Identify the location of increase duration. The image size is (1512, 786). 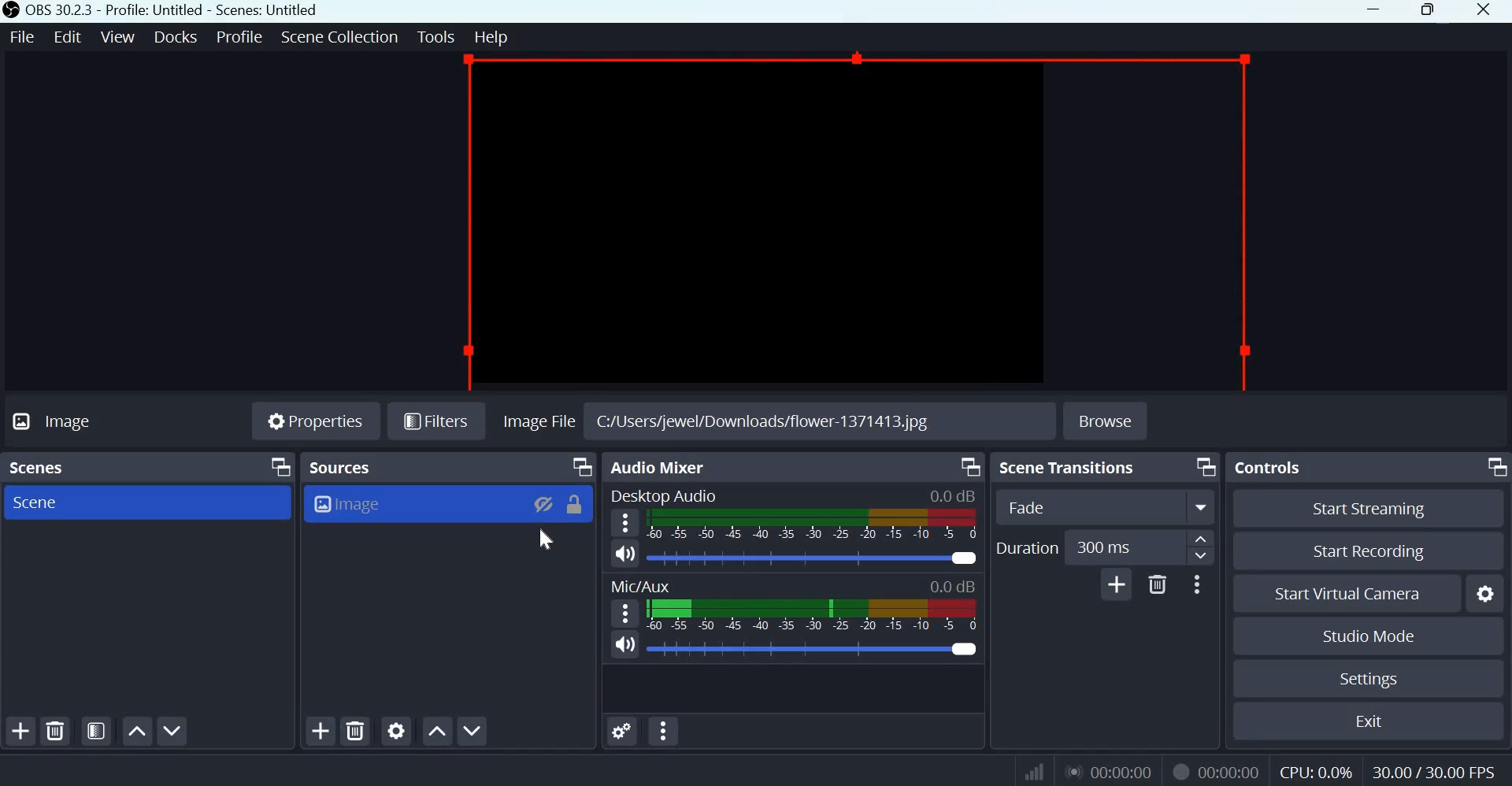
(1200, 536).